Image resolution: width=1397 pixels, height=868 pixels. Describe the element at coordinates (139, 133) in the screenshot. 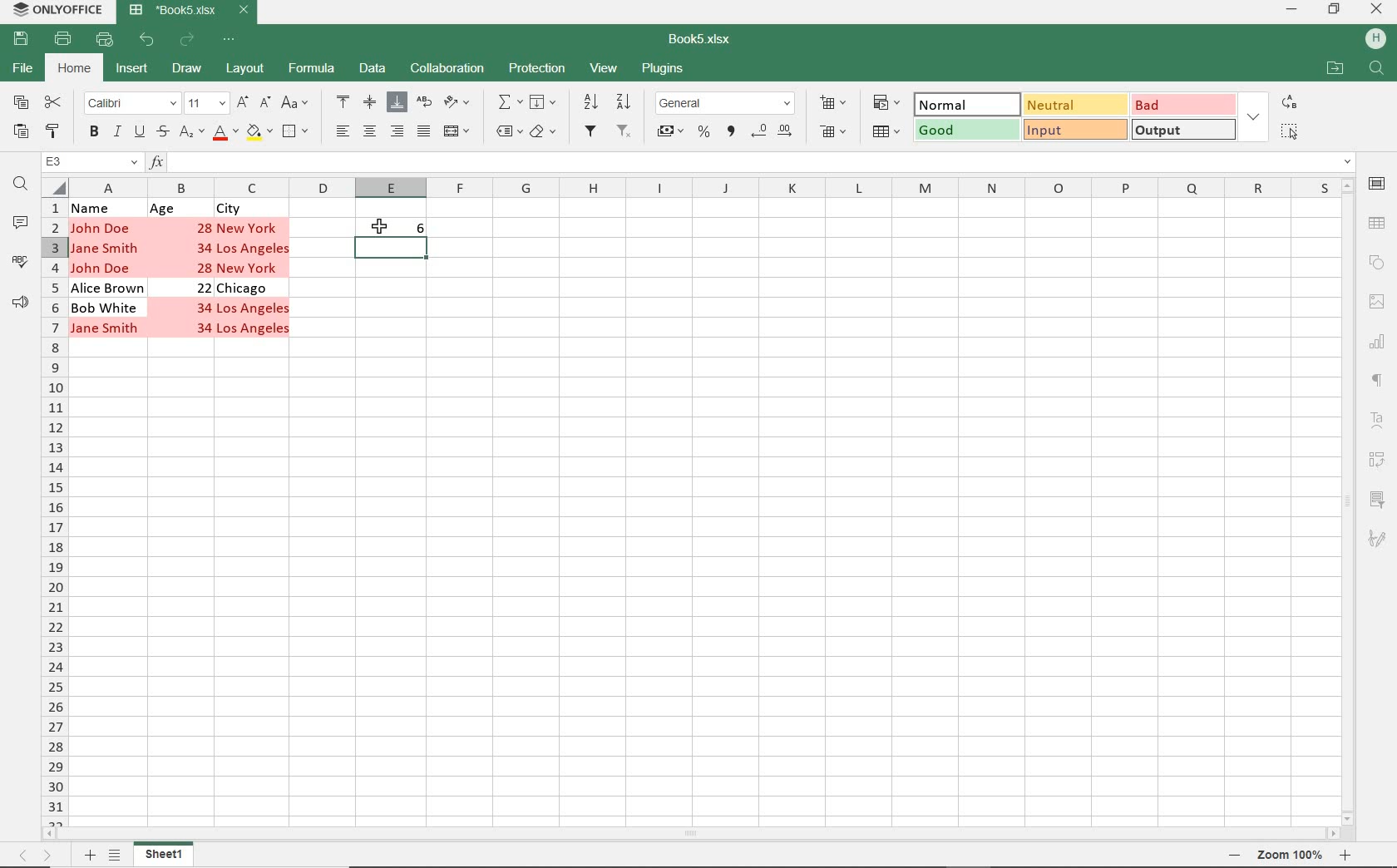

I see `UNDERLINE` at that location.